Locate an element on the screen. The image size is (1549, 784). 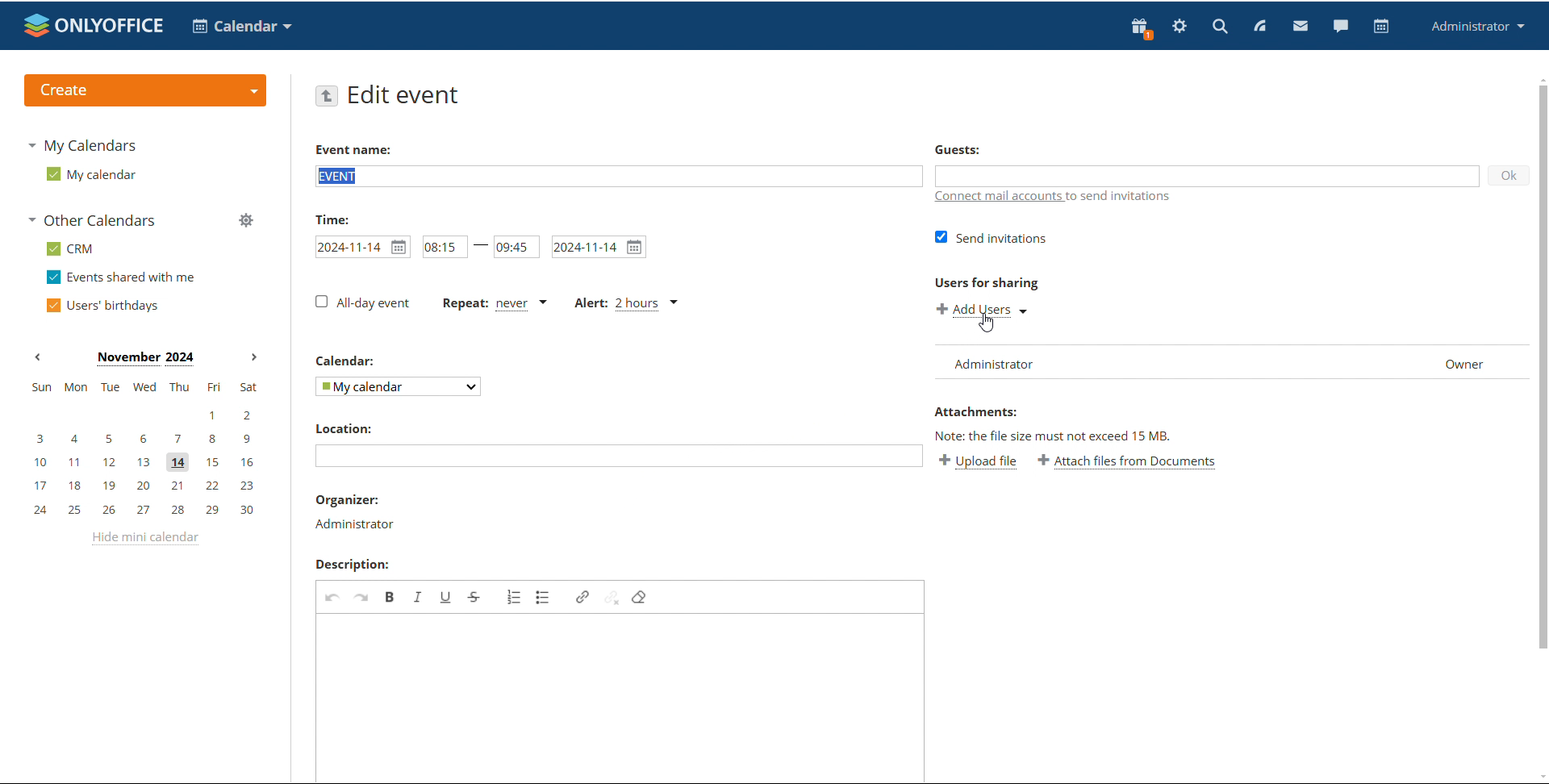
note: the file size must not exceed 15 mb is located at coordinates (1055, 436).